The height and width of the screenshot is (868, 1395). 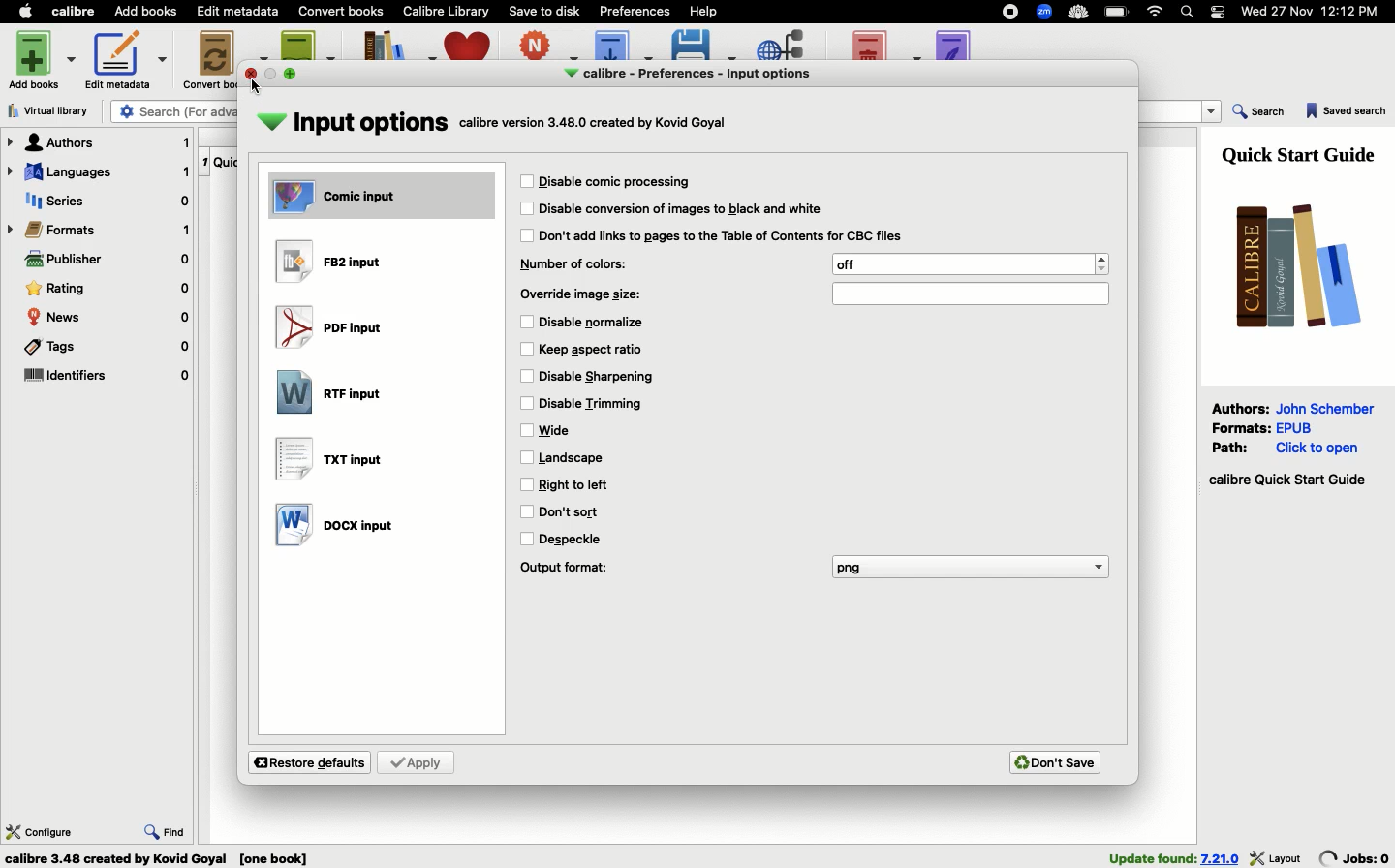 What do you see at coordinates (104, 202) in the screenshot?
I see `Series` at bounding box center [104, 202].